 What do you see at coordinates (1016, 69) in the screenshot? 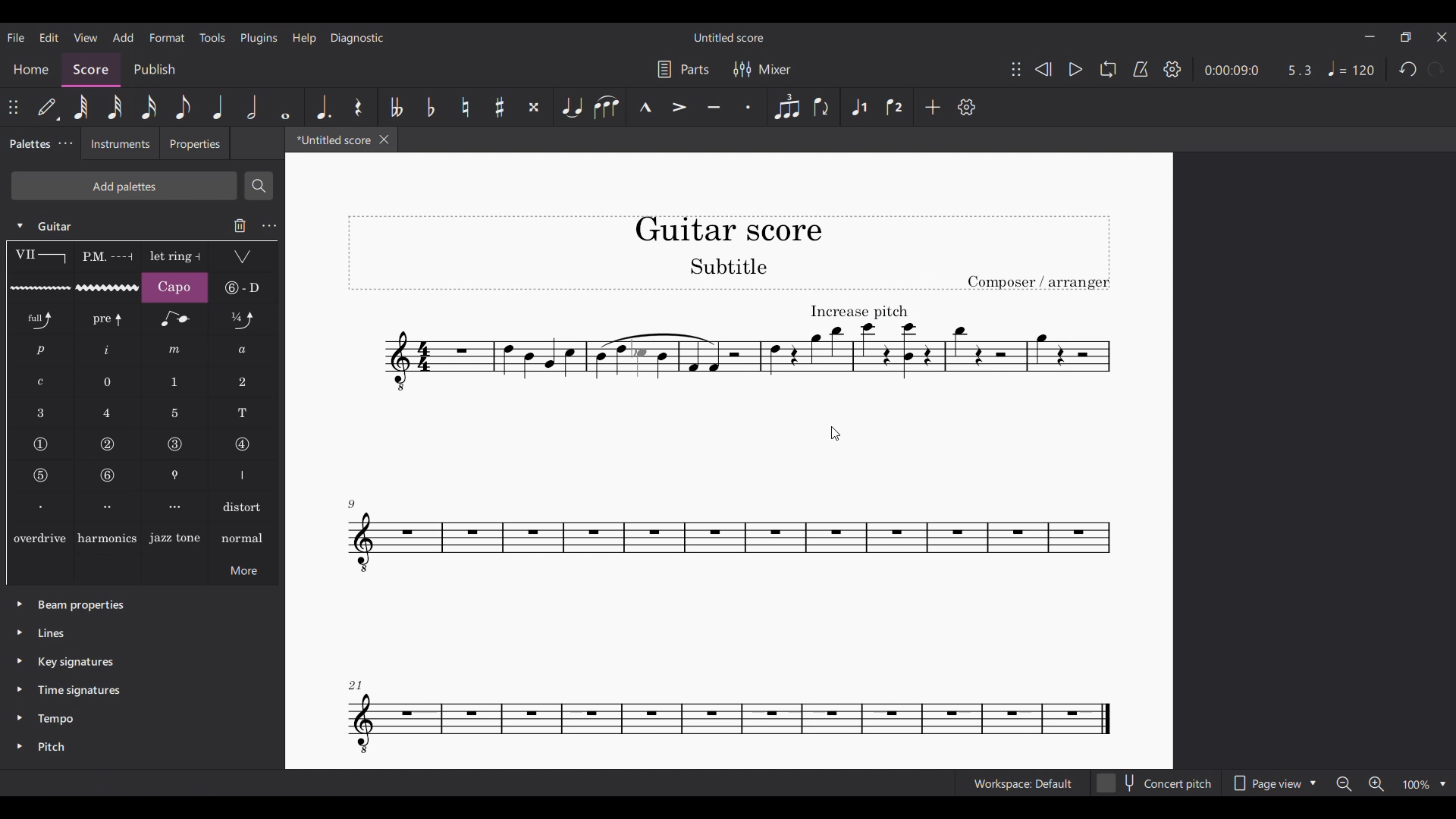
I see `Change position` at bounding box center [1016, 69].